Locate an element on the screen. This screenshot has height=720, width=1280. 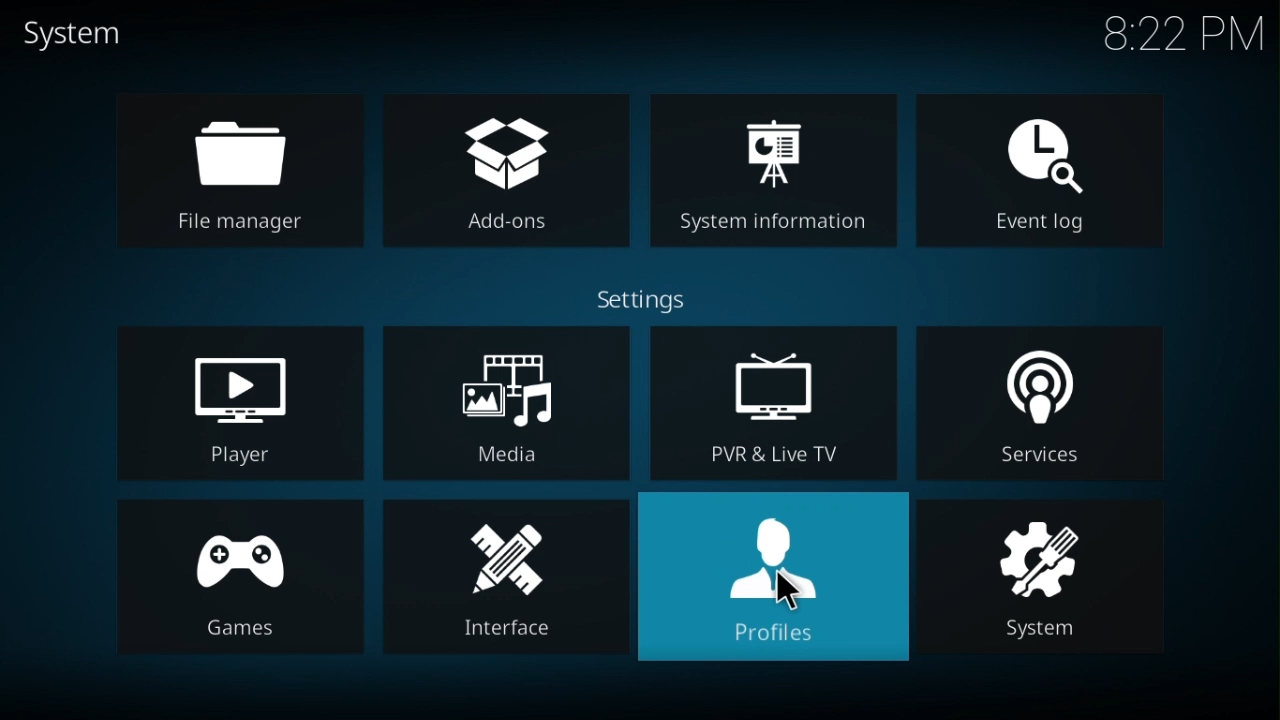
addons is located at coordinates (499, 170).